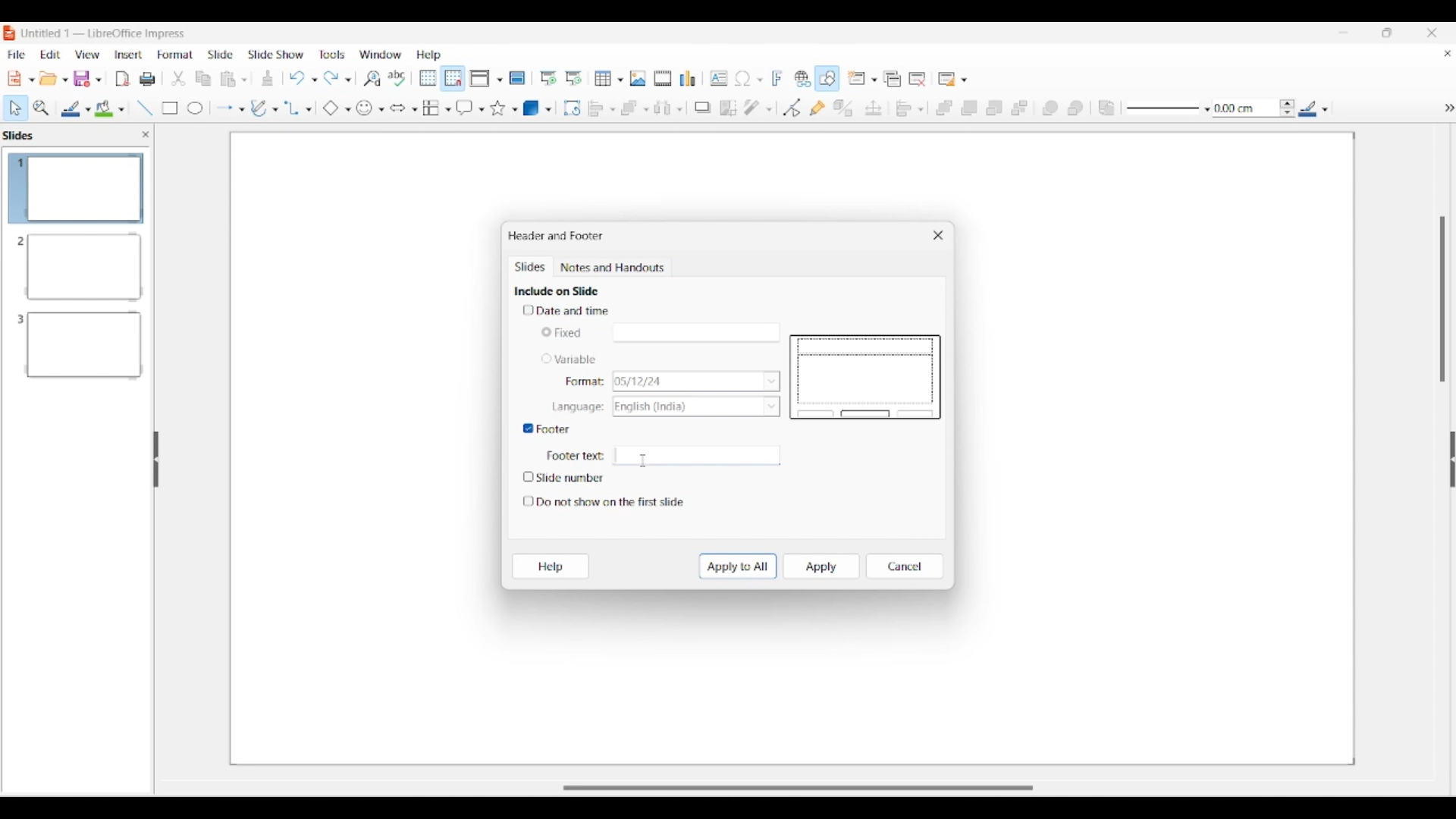 The height and width of the screenshot is (819, 1456). I want to click on Star and banner options, so click(504, 108).